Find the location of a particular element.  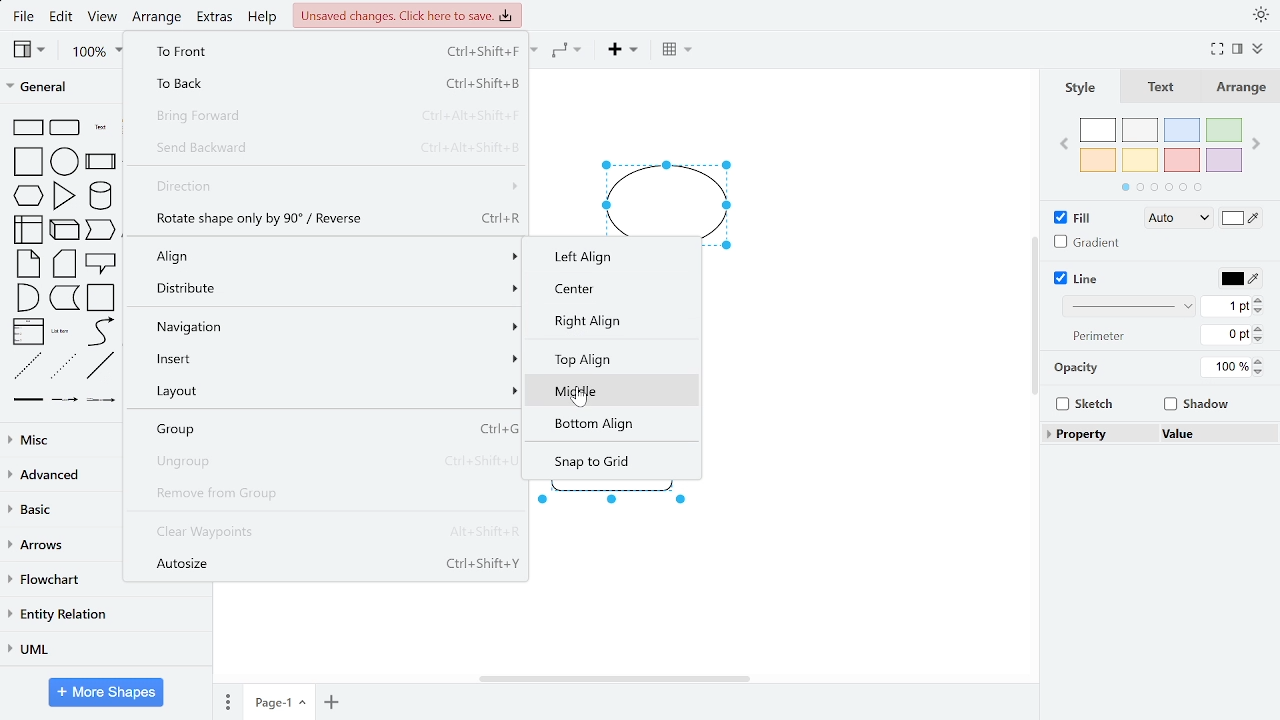

view is located at coordinates (105, 18).